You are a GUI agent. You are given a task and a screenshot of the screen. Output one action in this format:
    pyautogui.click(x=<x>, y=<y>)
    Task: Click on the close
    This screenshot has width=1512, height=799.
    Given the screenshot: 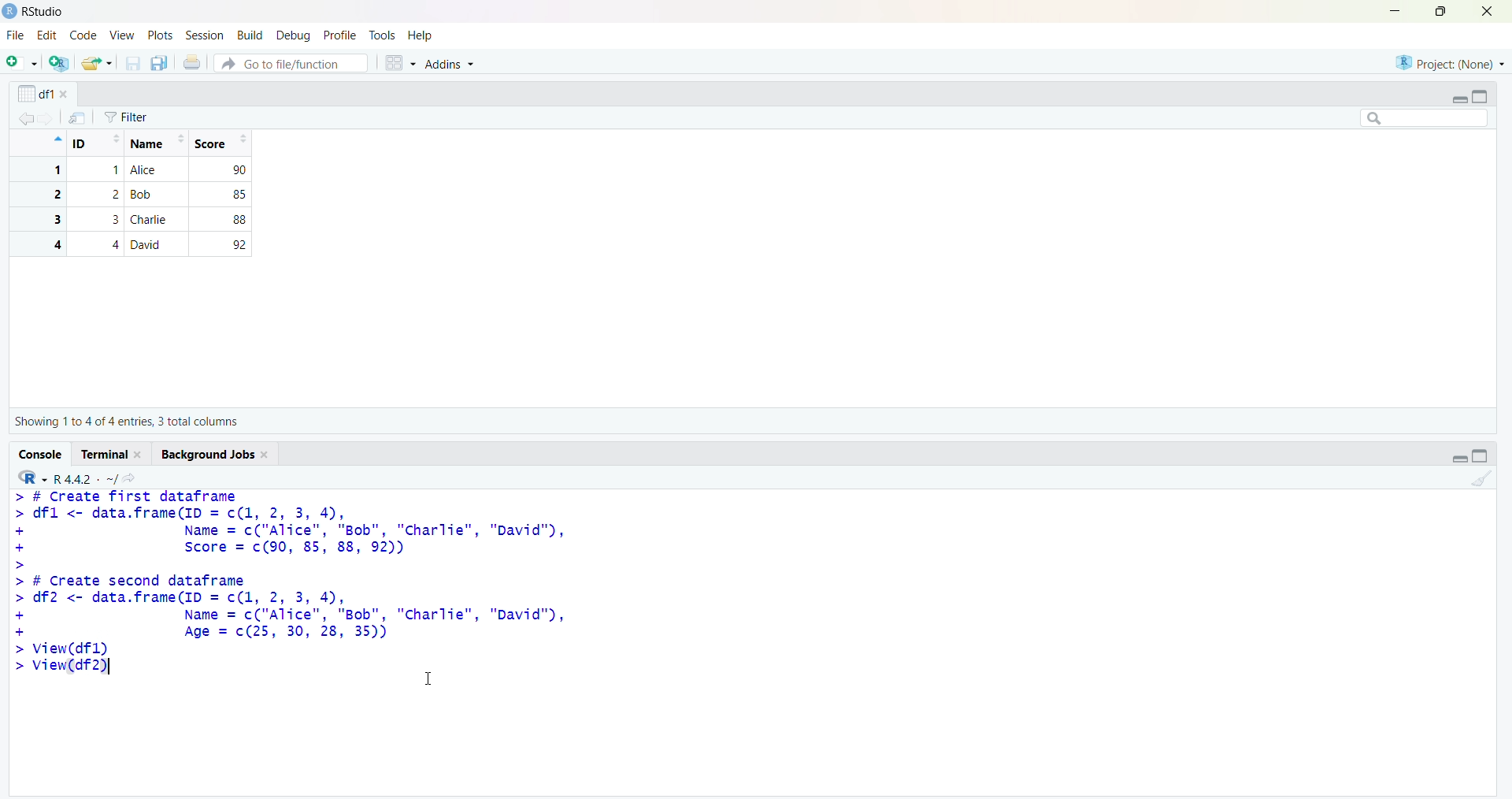 What is the action you would take?
    pyautogui.click(x=65, y=94)
    